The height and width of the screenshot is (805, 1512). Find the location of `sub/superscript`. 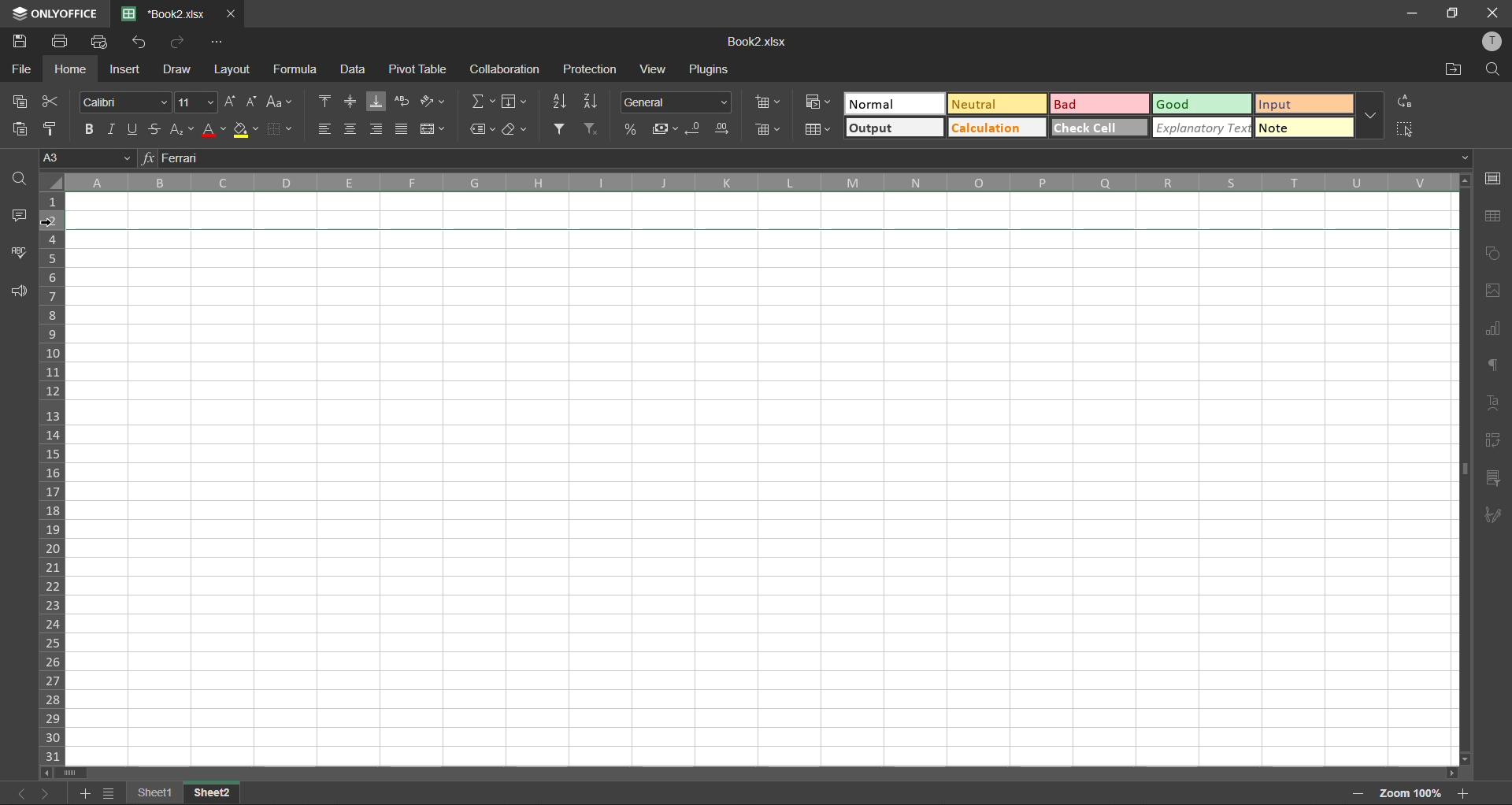

sub/superscript is located at coordinates (177, 128).